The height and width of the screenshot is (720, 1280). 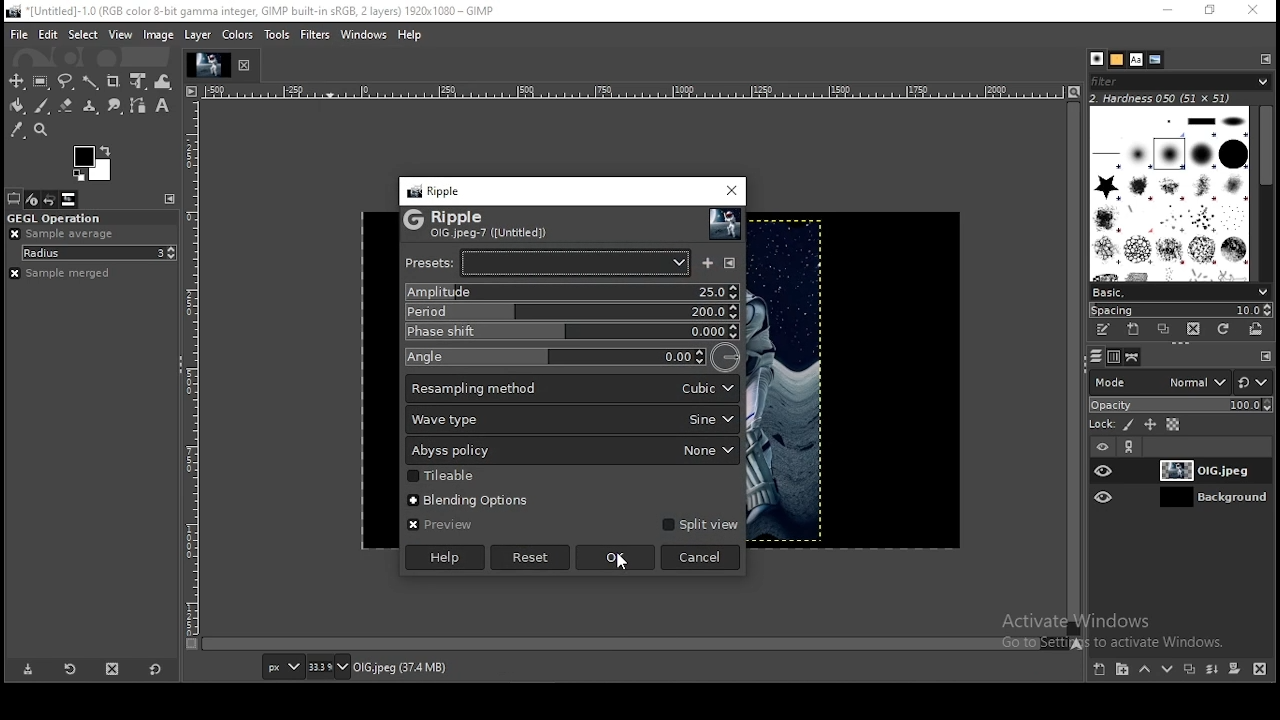 I want to click on image, so click(x=159, y=34).